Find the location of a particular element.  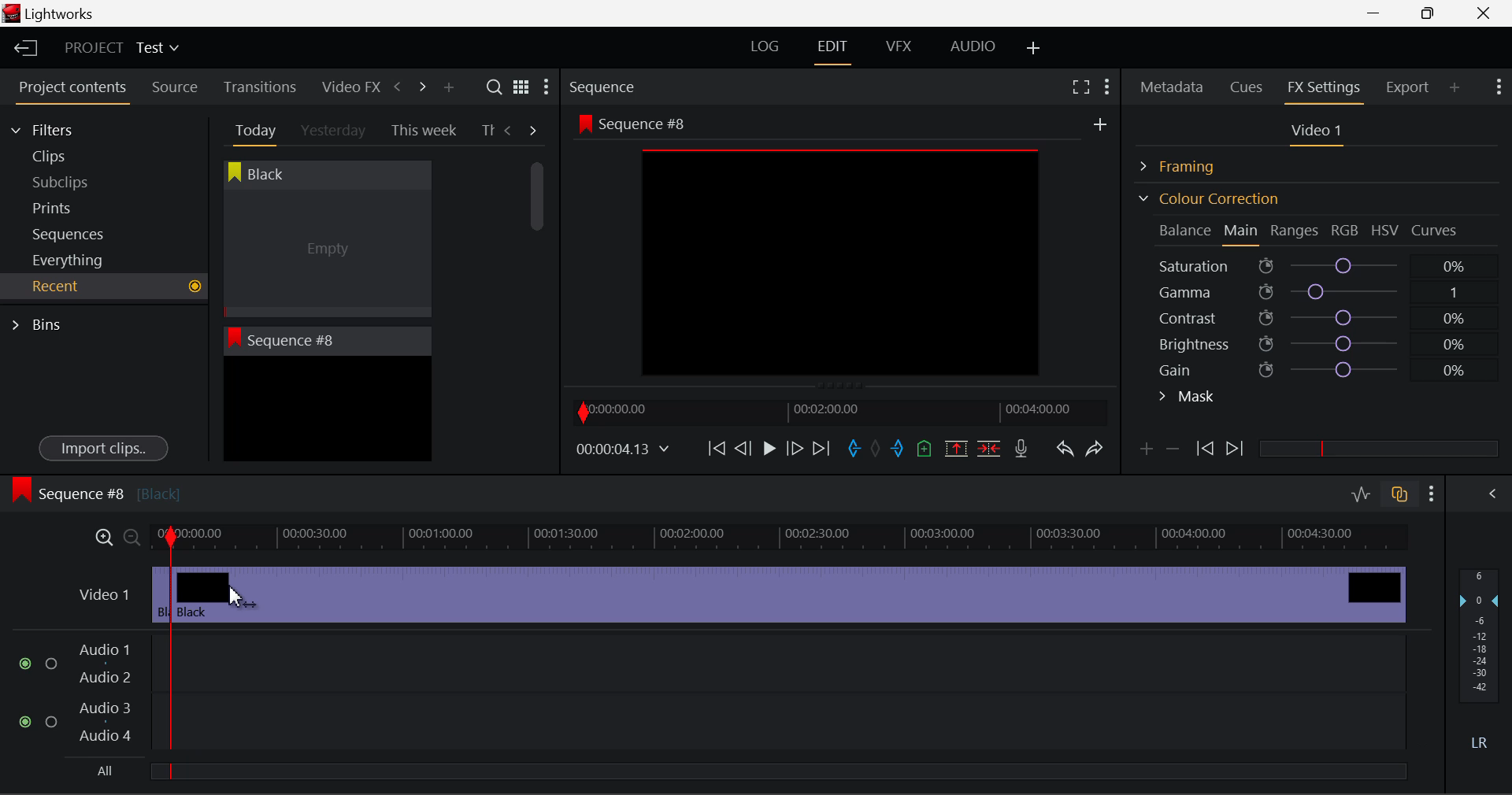

Mask is located at coordinates (1188, 398).